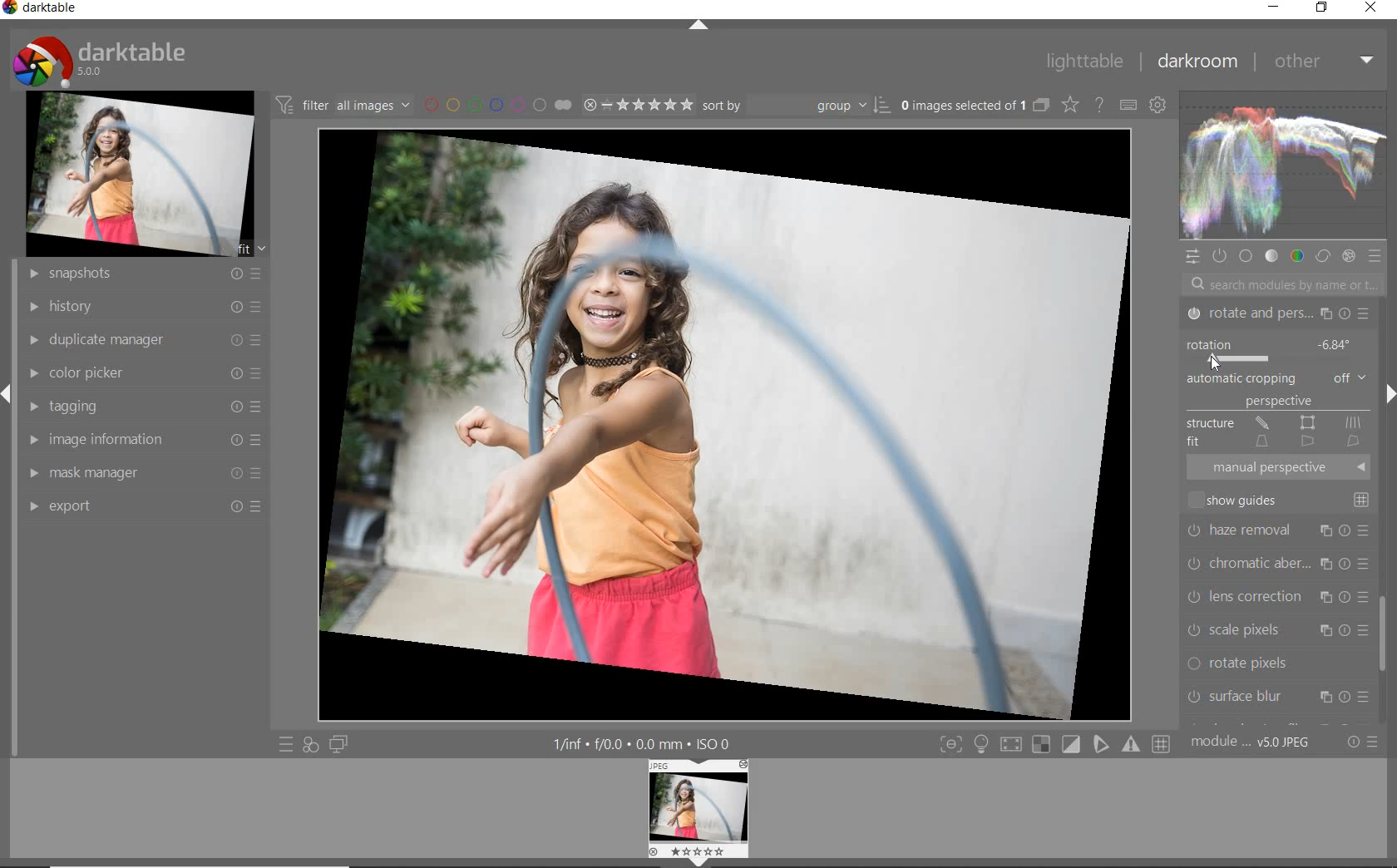 This screenshot has height=868, width=1397. What do you see at coordinates (1323, 258) in the screenshot?
I see `correct` at bounding box center [1323, 258].